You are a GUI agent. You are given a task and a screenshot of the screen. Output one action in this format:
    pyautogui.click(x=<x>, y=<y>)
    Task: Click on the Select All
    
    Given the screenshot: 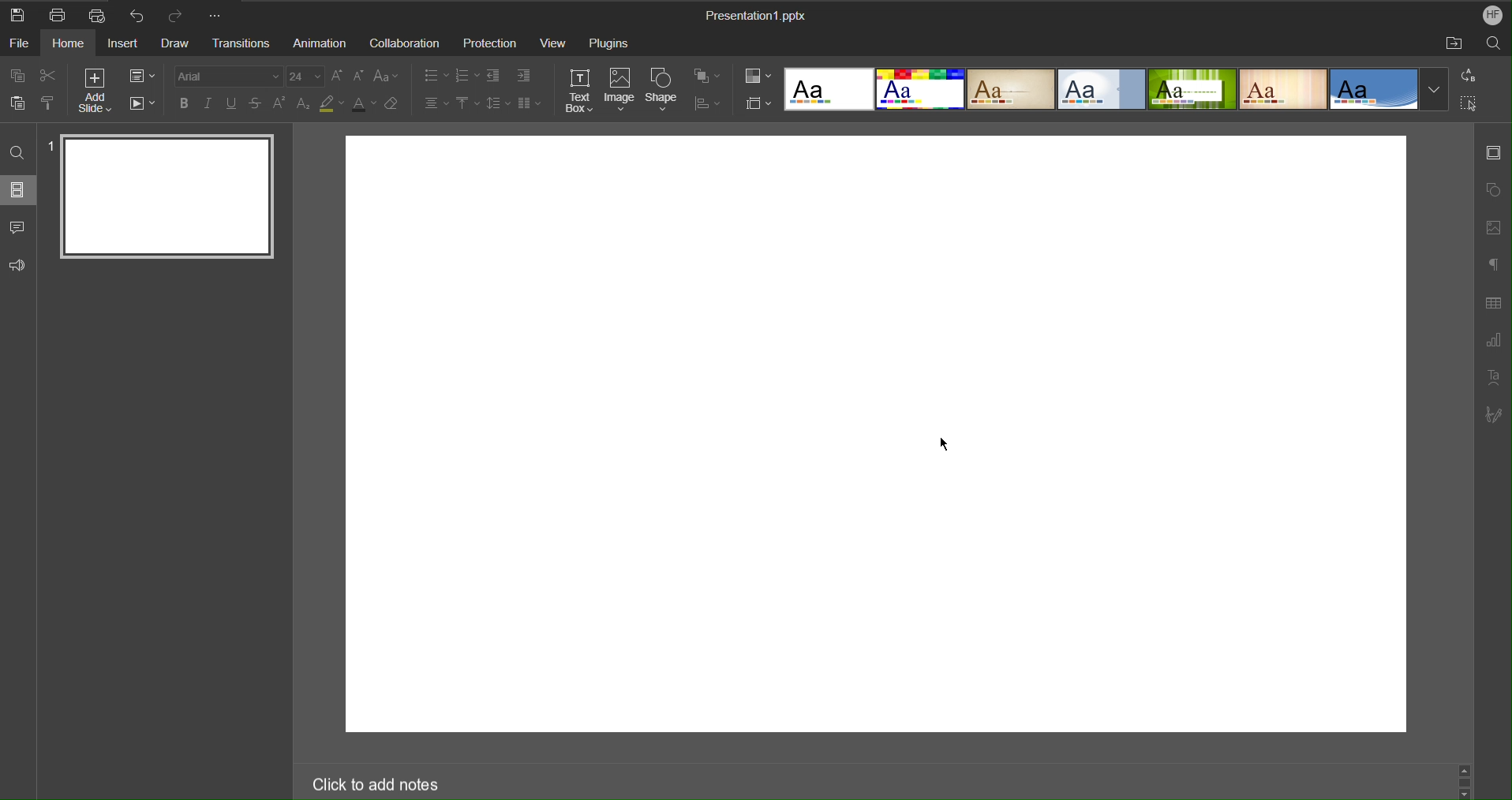 What is the action you would take?
    pyautogui.click(x=1466, y=103)
    